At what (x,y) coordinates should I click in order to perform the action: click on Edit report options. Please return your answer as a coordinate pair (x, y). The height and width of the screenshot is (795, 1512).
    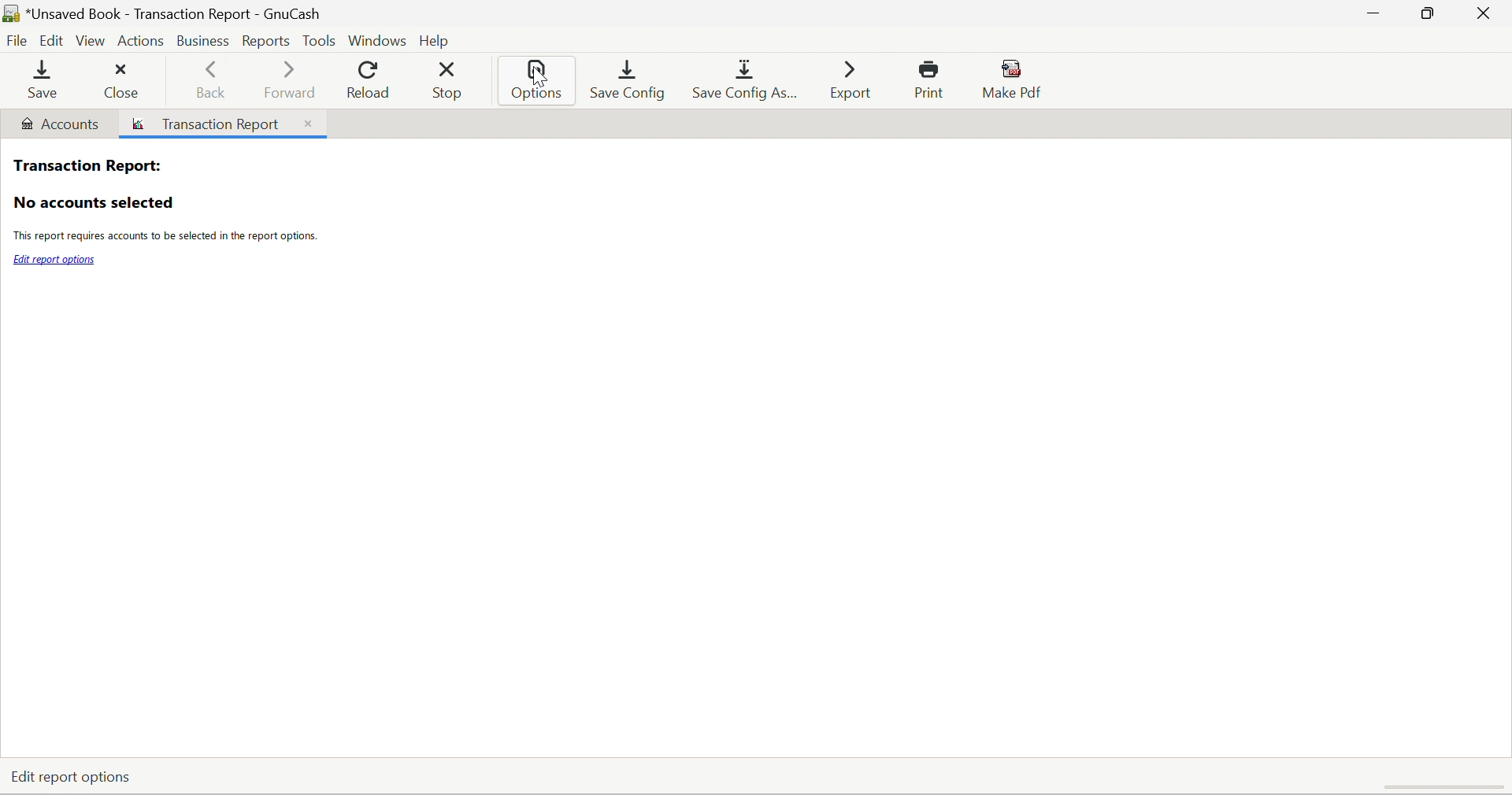
    Looking at the image, I should click on (55, 260).